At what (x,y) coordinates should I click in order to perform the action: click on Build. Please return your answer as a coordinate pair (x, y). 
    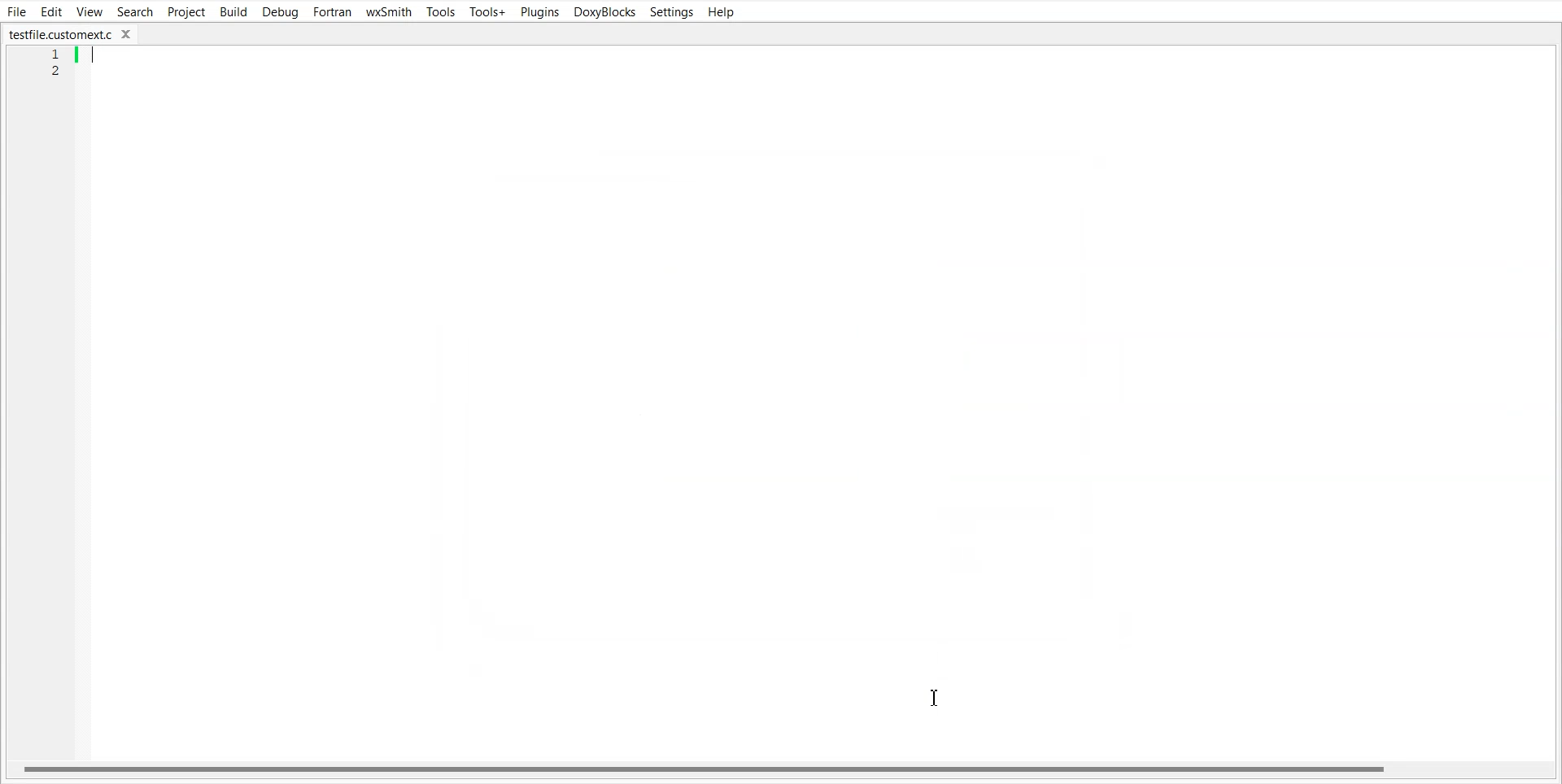
    Looking at the image, I should click on (233, 11).